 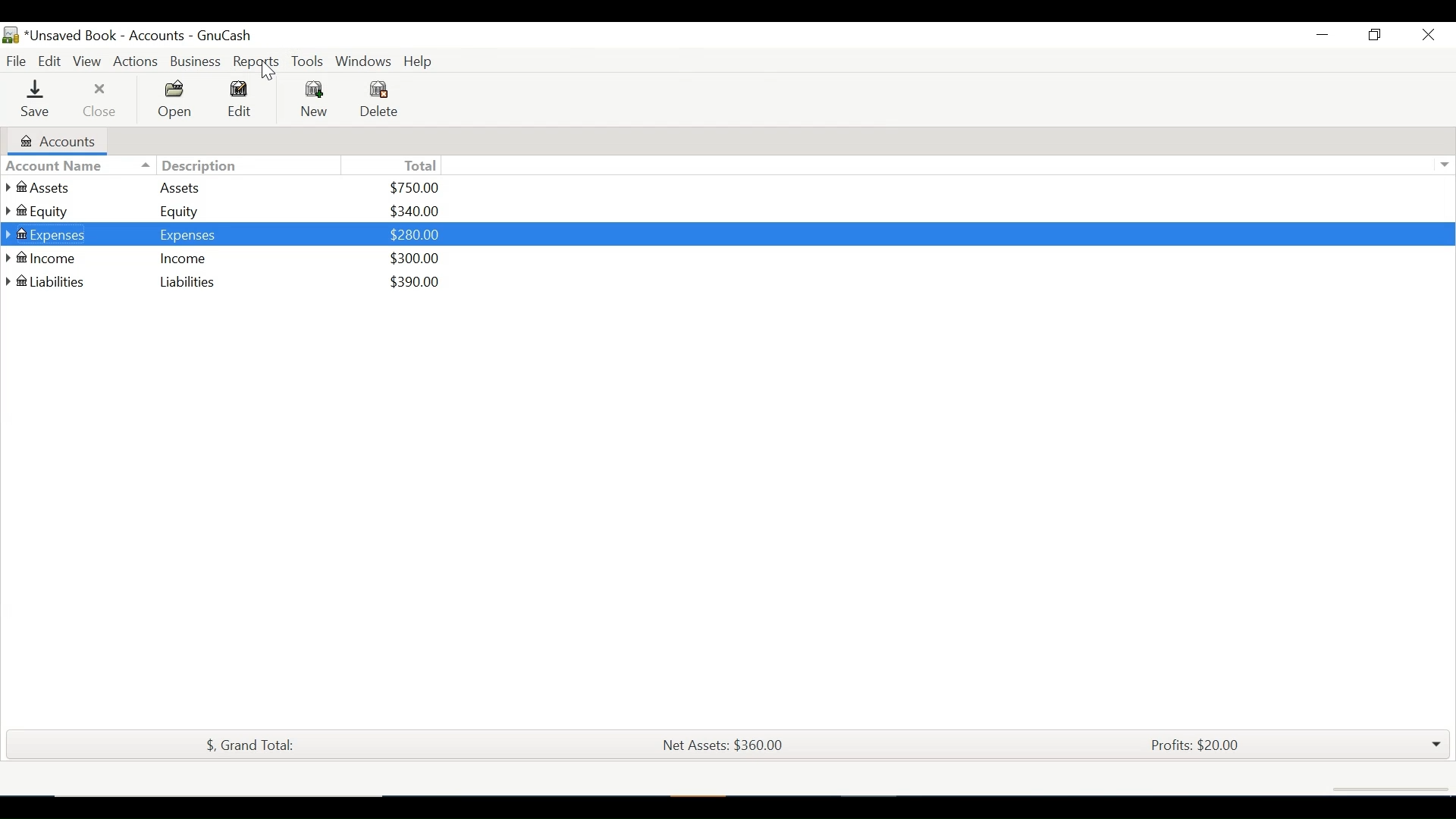 I want to click on Accounts Name, so click(x=129, y=34).